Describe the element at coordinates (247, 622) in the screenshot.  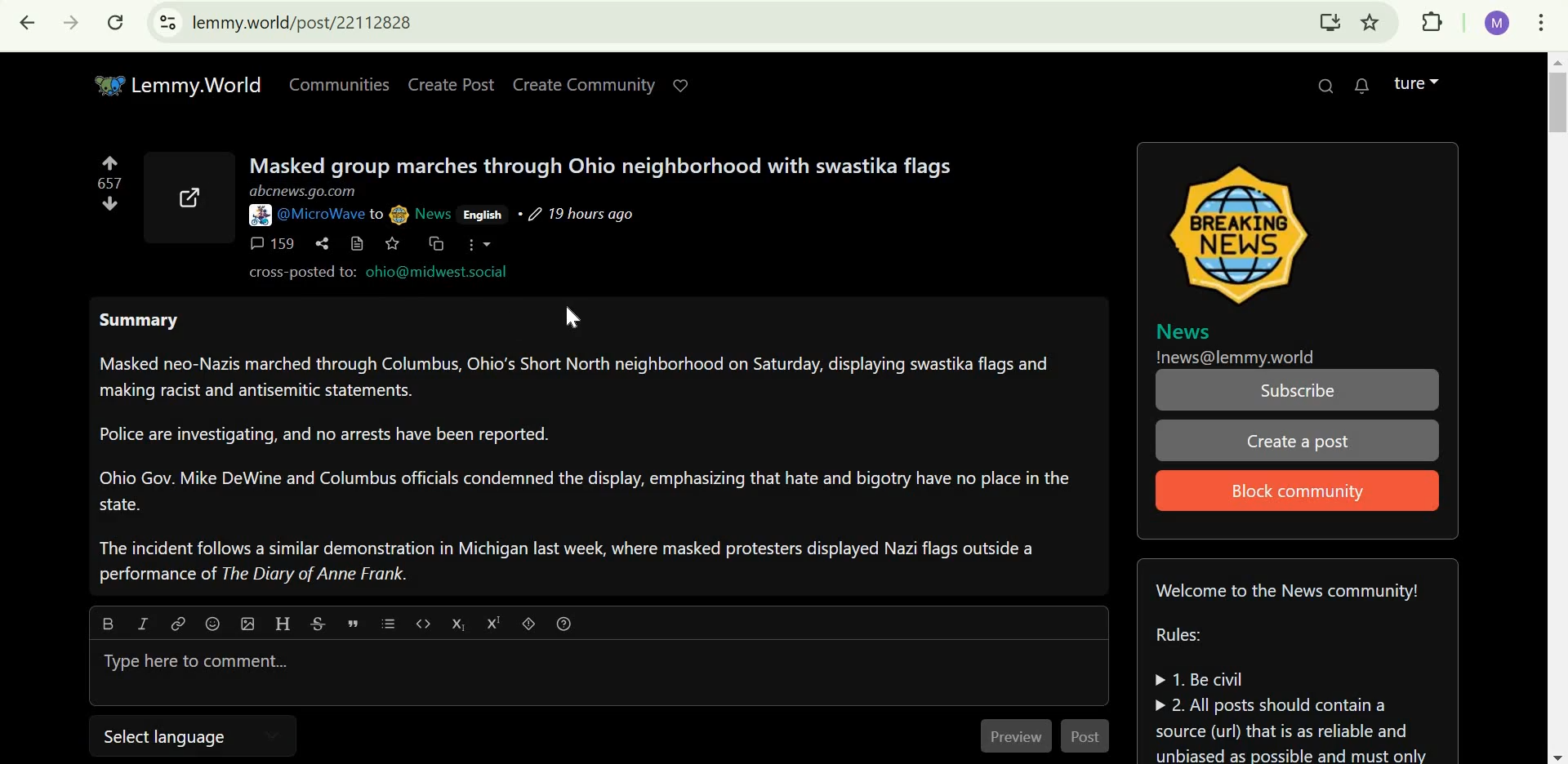
I see `upload image` at that location.